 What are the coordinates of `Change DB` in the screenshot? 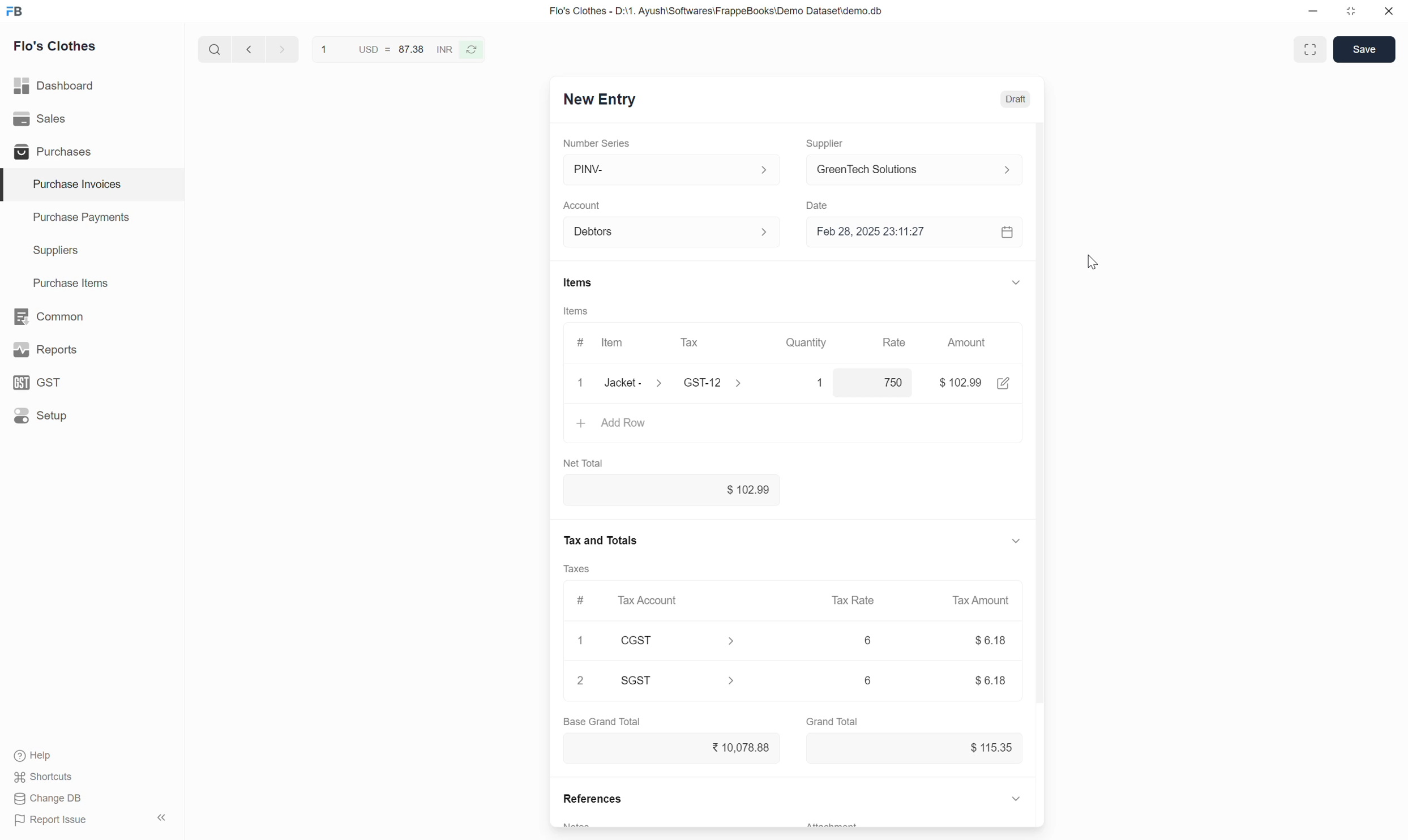 It's located at (49, 799).